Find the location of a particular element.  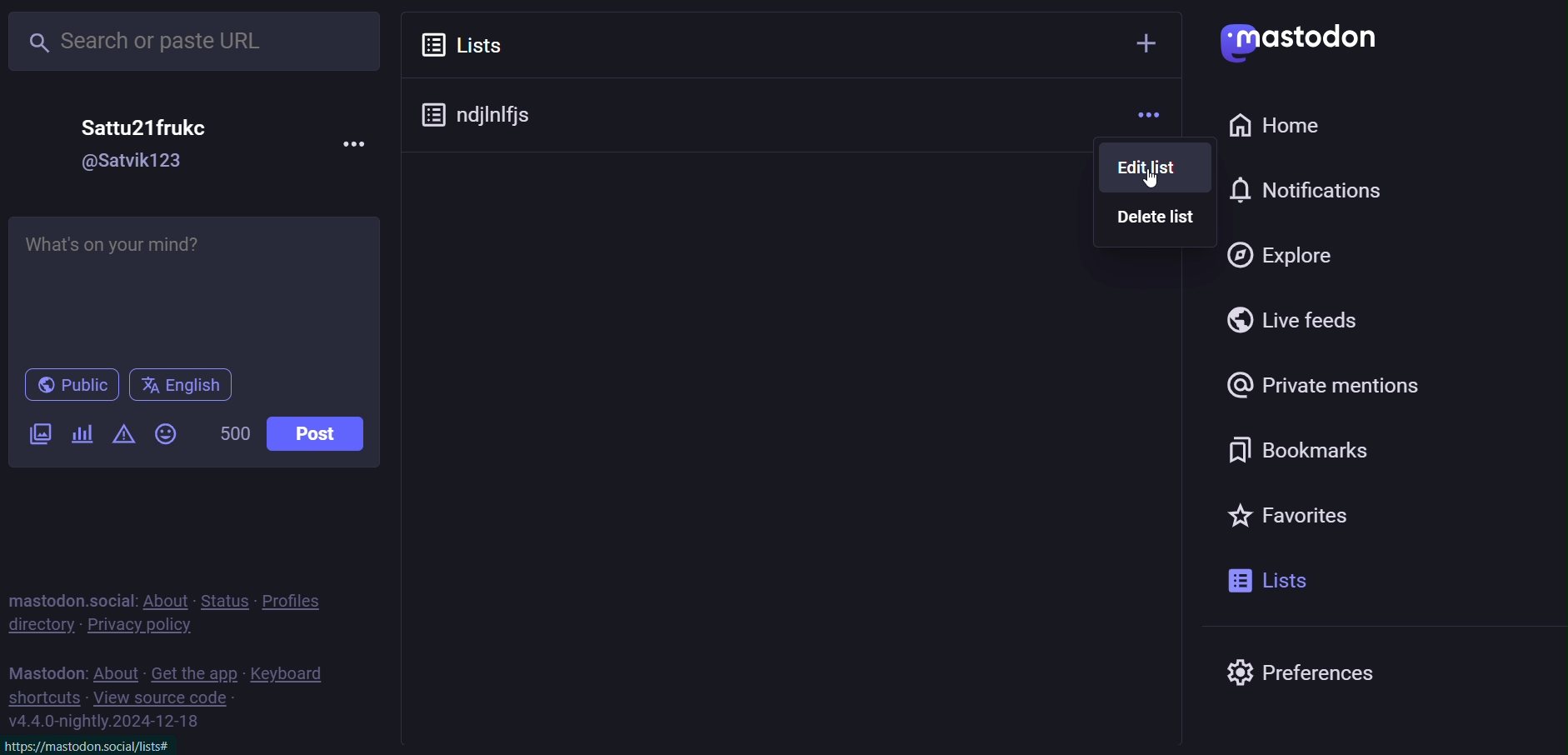

ndjInifjs is located at coordinates (489, 109).